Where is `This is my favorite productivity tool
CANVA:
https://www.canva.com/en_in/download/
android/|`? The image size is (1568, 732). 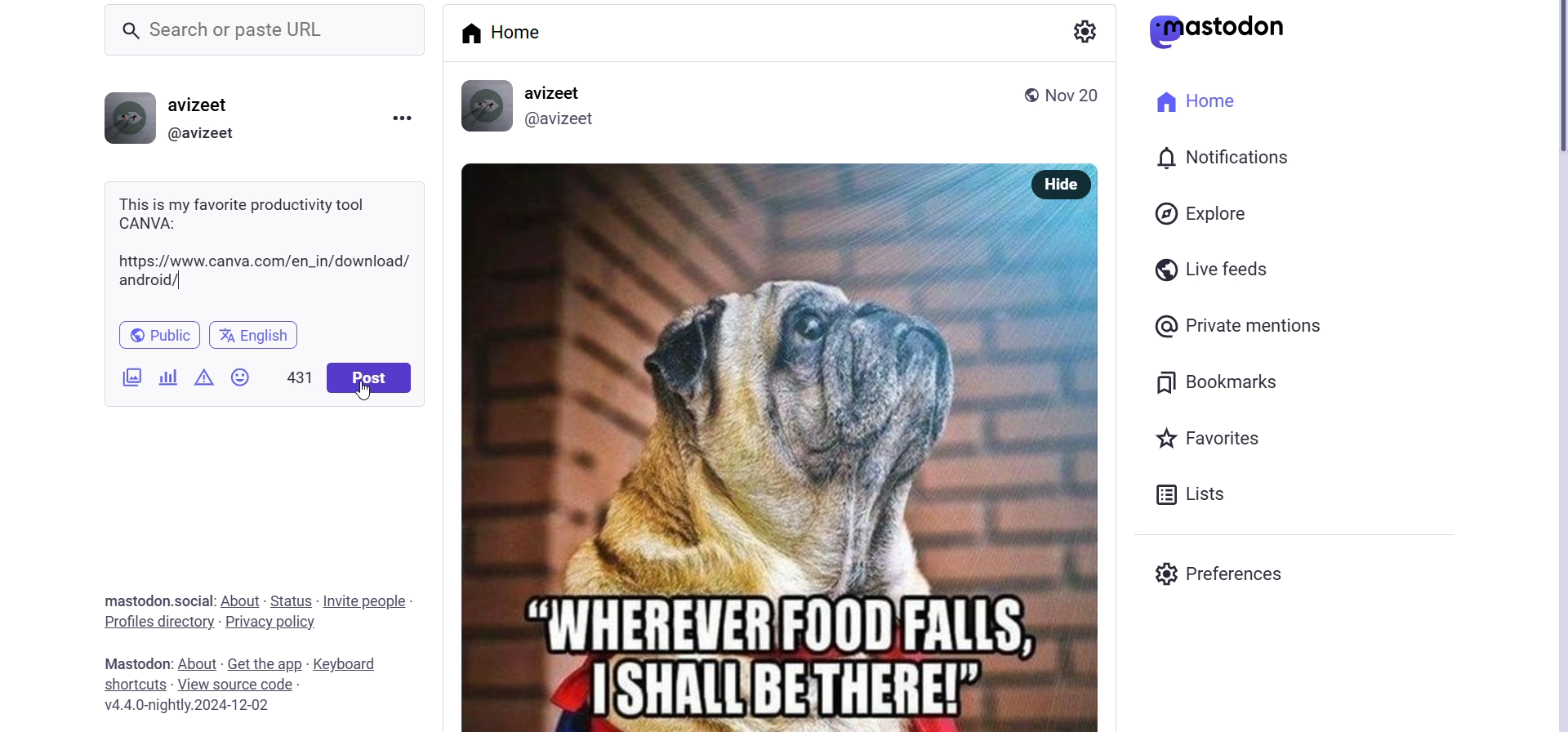
This is my favorite productivity tool
CANVA:
https://www.canva.com/en_in/download/
android/| is located at coordinates (264, 240).